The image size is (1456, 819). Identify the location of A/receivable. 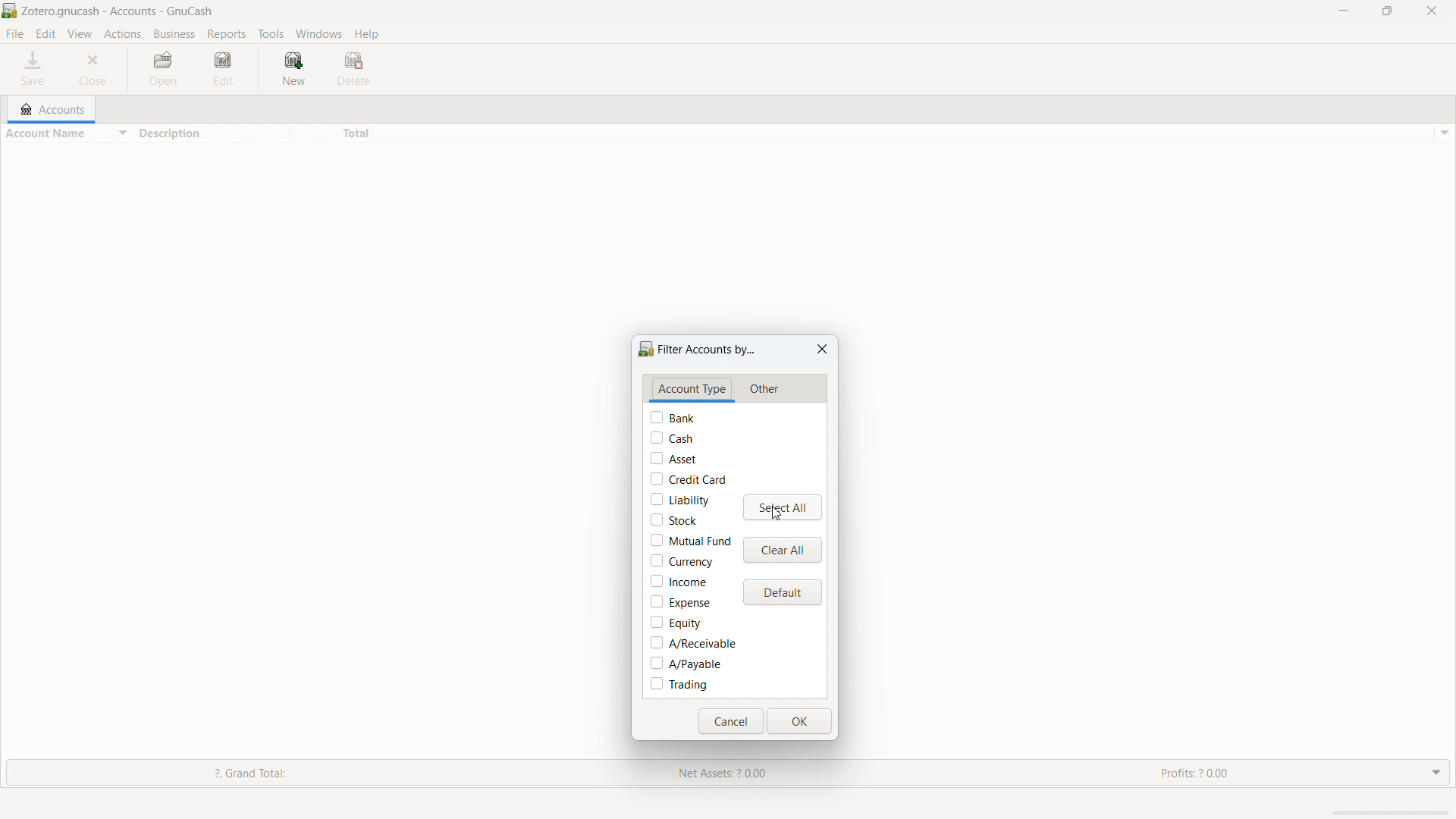
(694, 643).